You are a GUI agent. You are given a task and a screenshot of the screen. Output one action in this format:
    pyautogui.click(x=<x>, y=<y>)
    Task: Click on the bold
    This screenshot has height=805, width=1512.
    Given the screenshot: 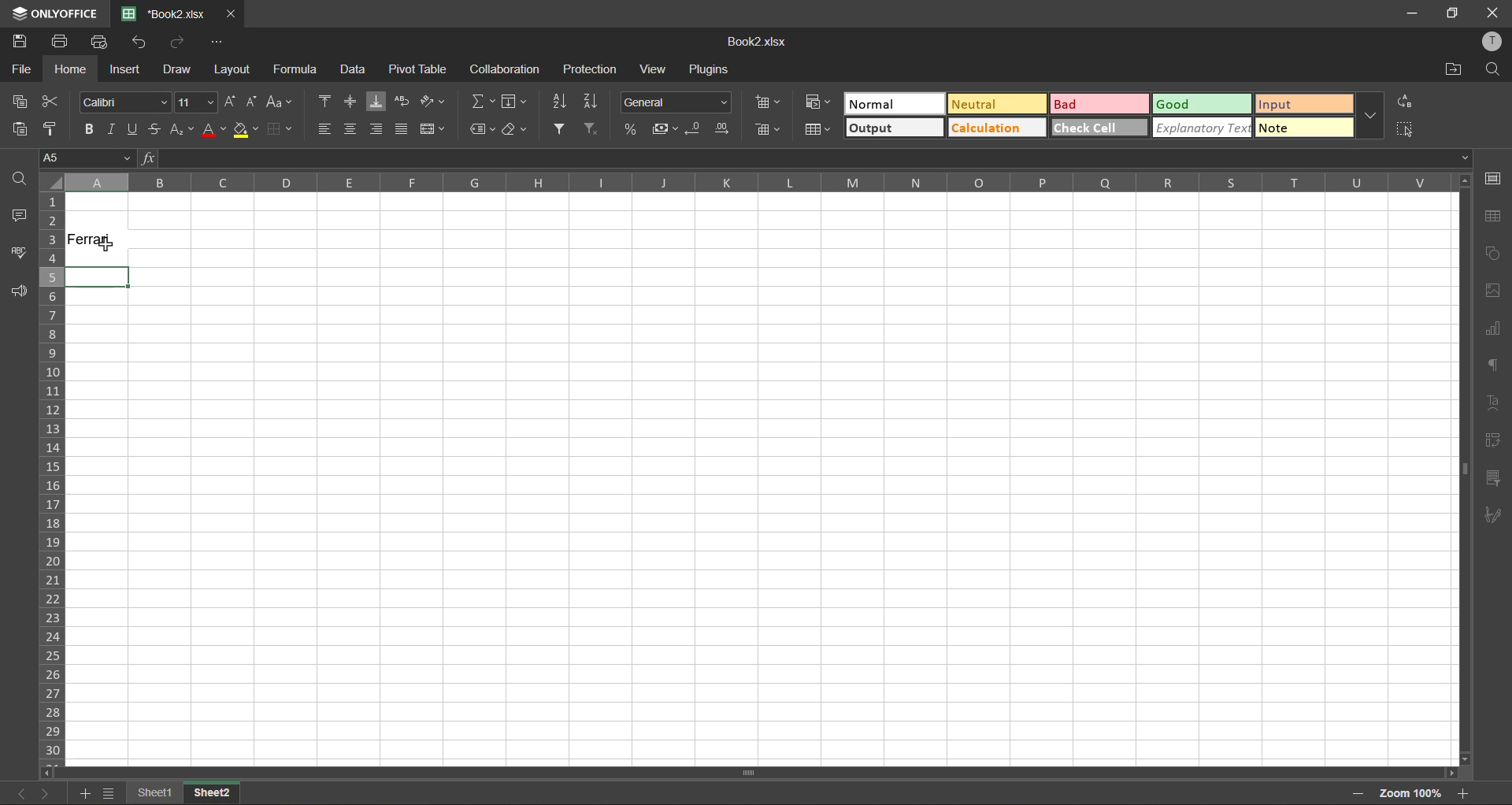 What is the action you would take?
    pyautogui.click(x=87, y=129)
    